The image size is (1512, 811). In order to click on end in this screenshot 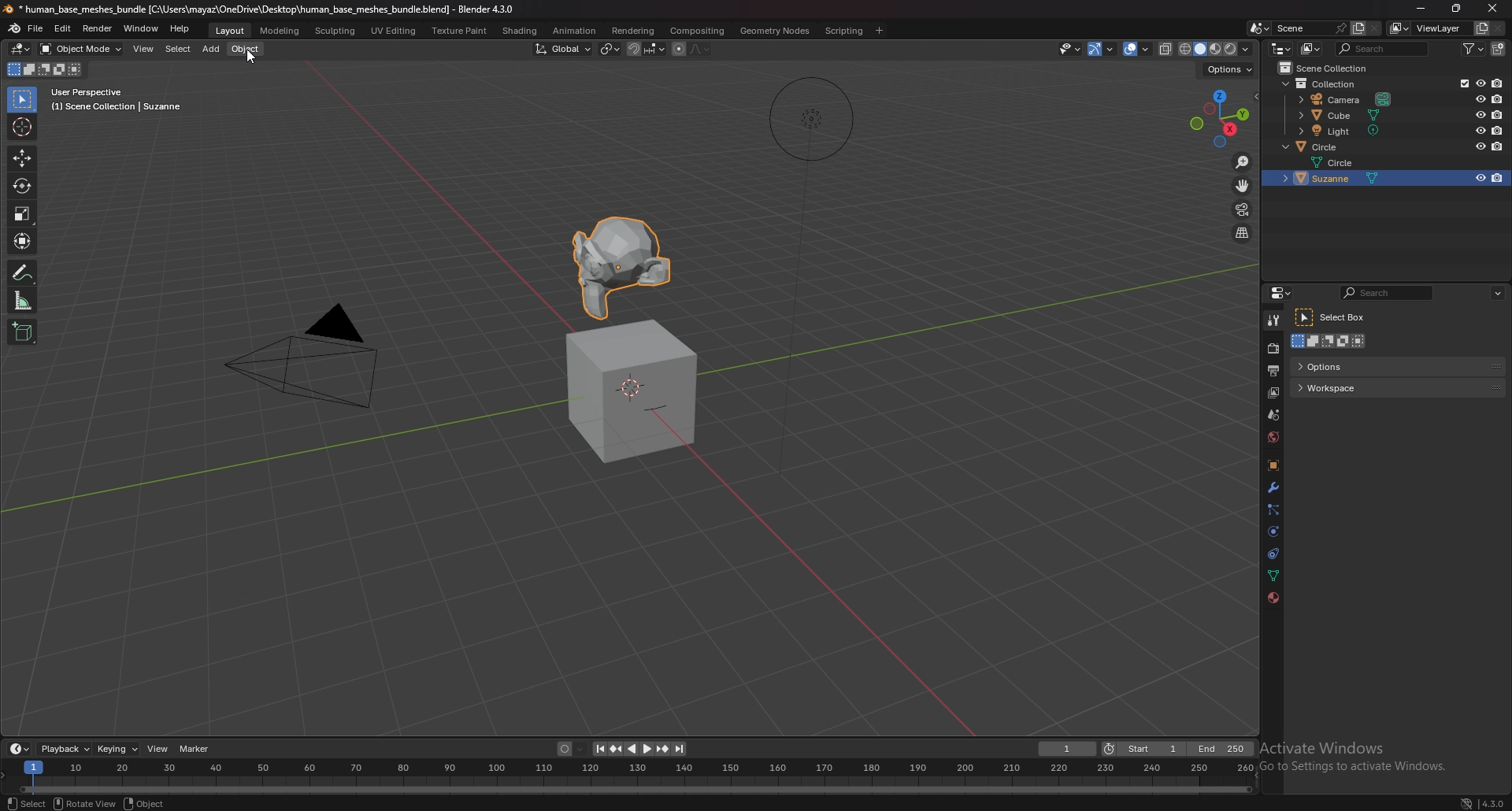, I will do `click(1222, 748)`.